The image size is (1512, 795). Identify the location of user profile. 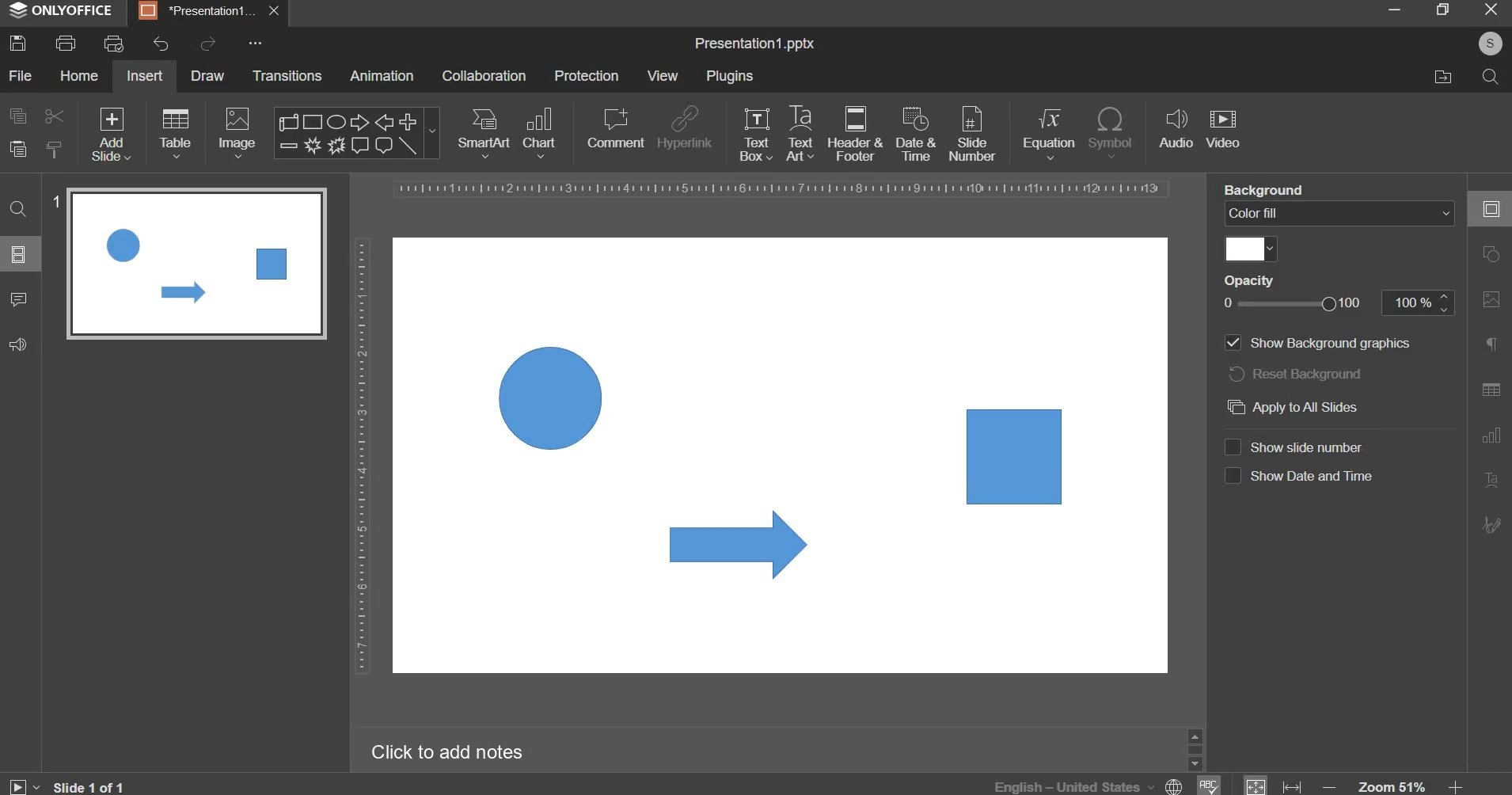
(1490, 44).